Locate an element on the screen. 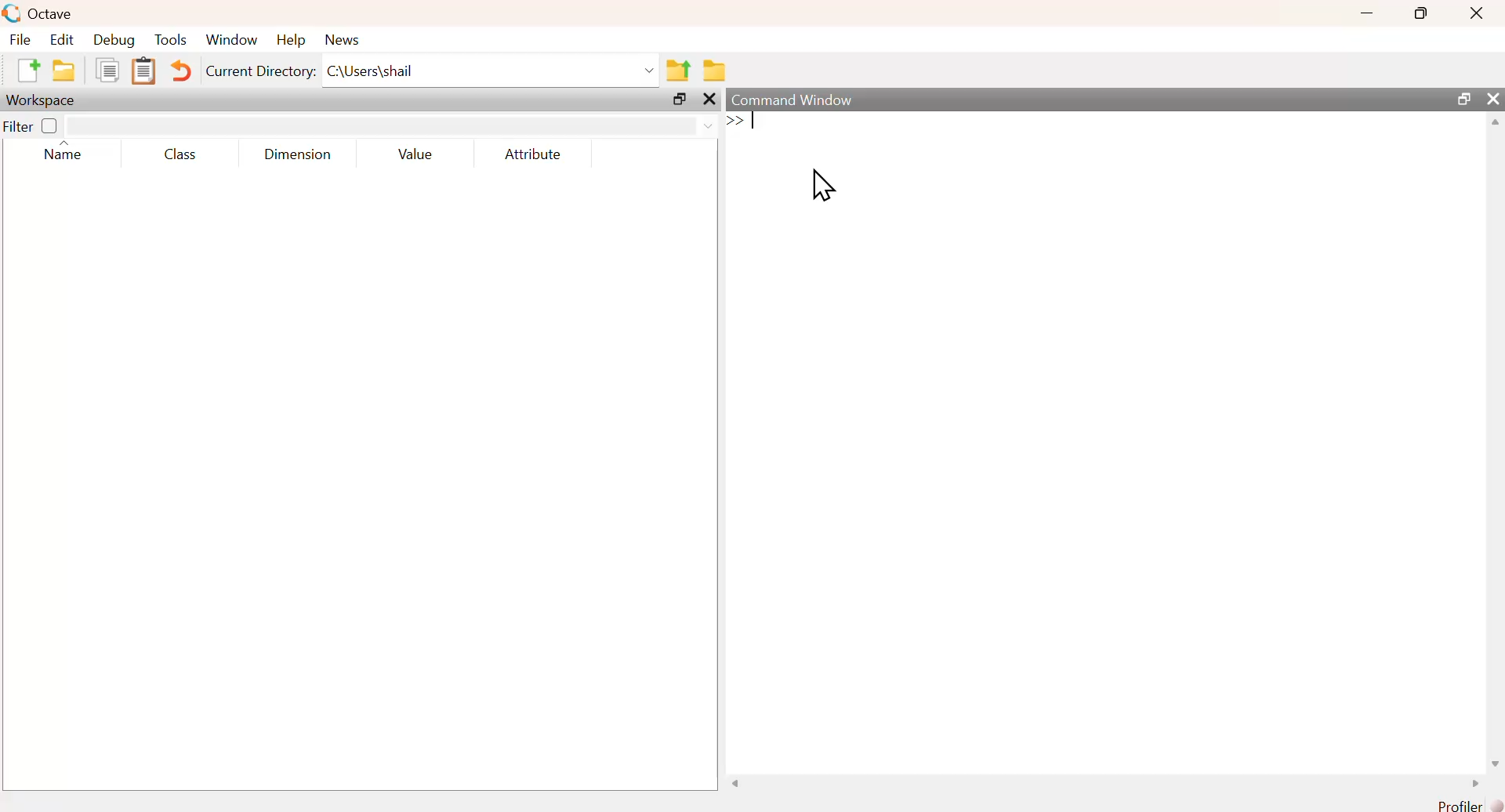  typing cursor is located at coordinates (739, 122).